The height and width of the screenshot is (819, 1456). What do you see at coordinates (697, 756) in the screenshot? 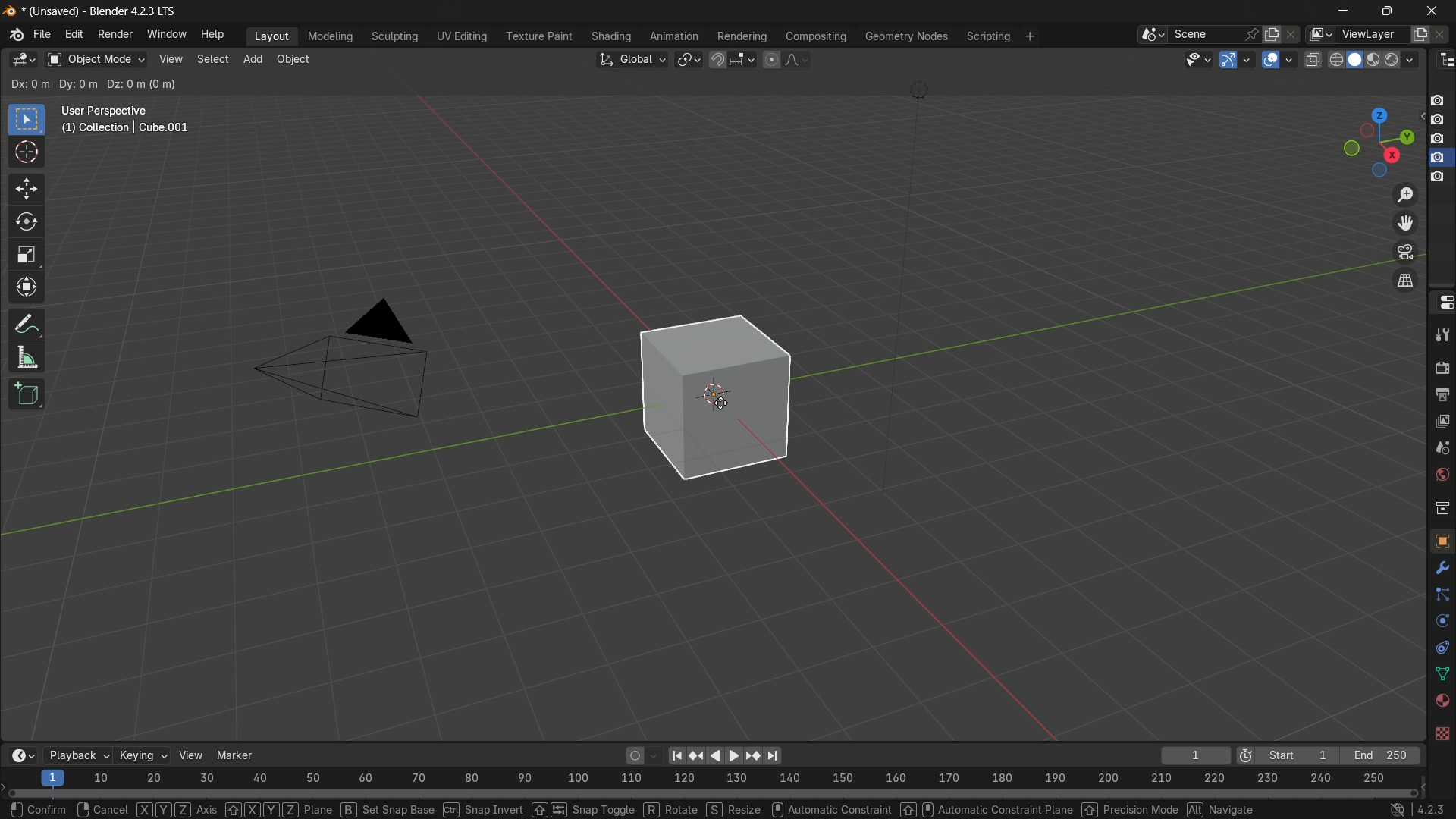
I see `Play before` at bounding box center [697, 756].